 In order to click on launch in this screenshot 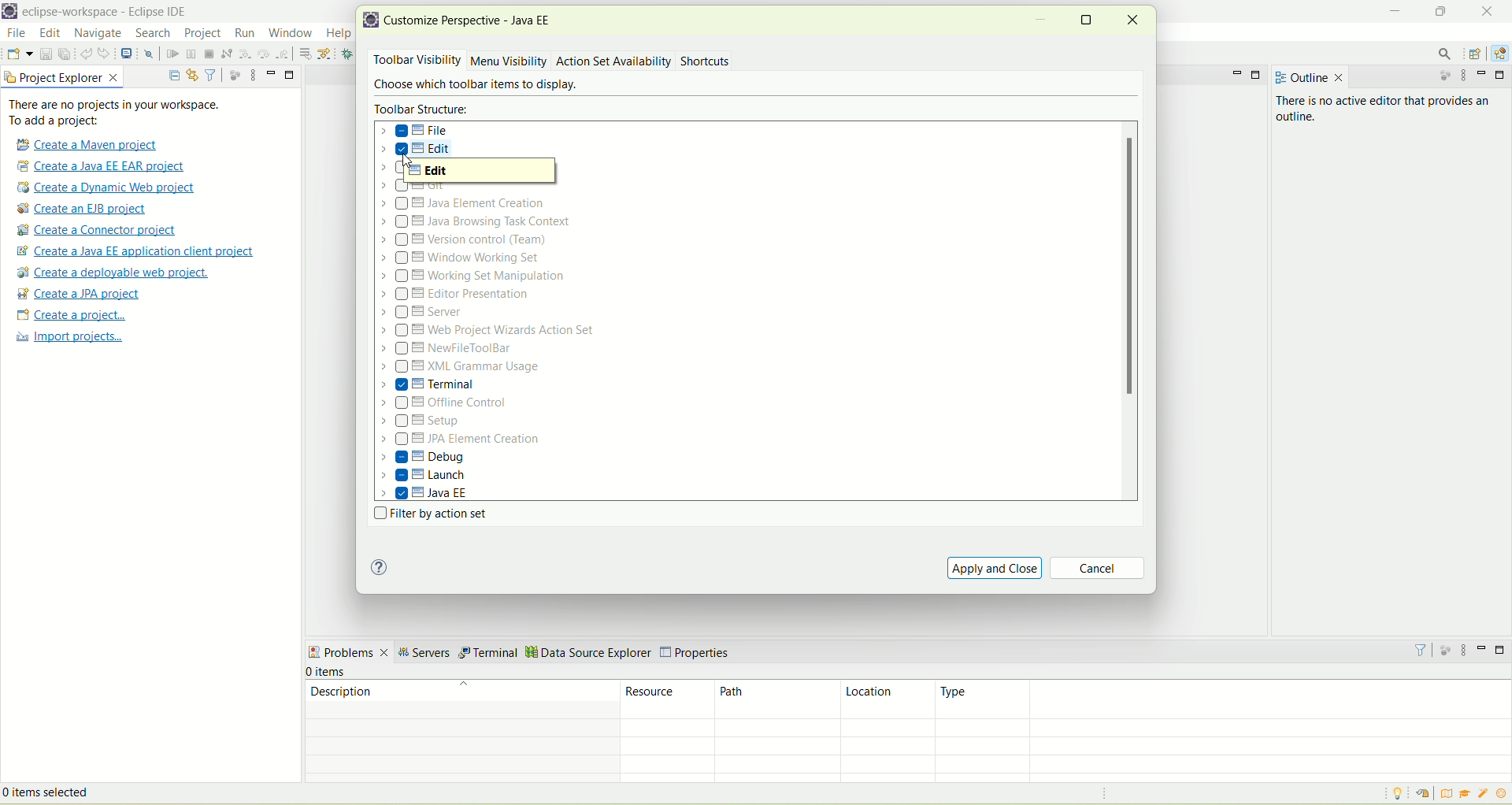, I will do `click(424, 477)`.